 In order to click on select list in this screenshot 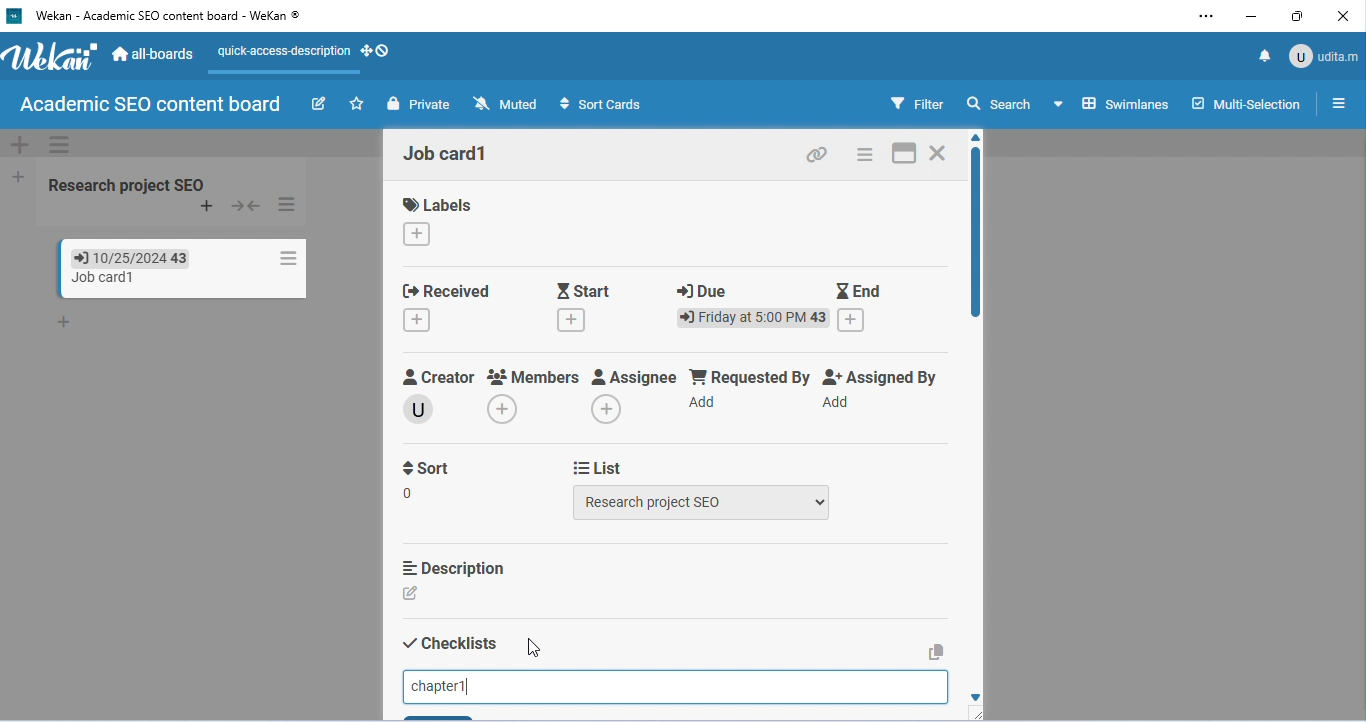, I will do `click(703, 502)`.